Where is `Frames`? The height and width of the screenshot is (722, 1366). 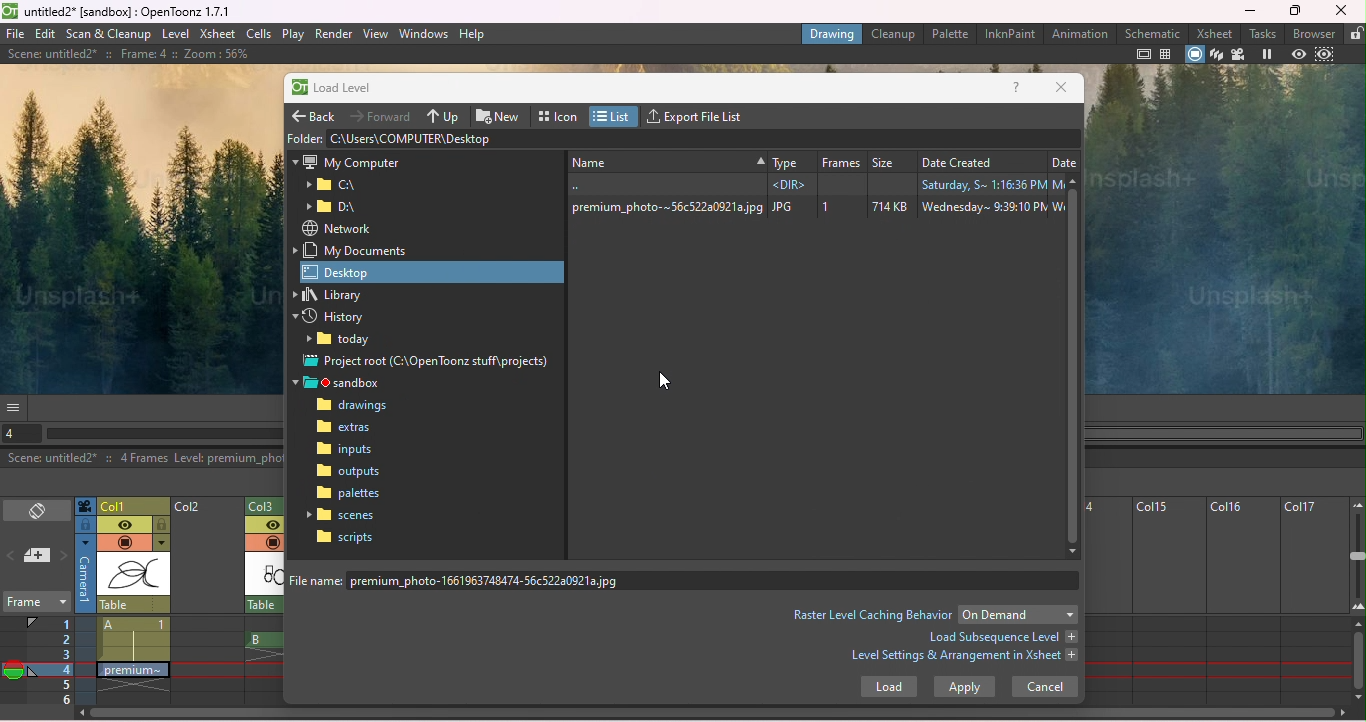 Frames is located at coordinates (51, 660).